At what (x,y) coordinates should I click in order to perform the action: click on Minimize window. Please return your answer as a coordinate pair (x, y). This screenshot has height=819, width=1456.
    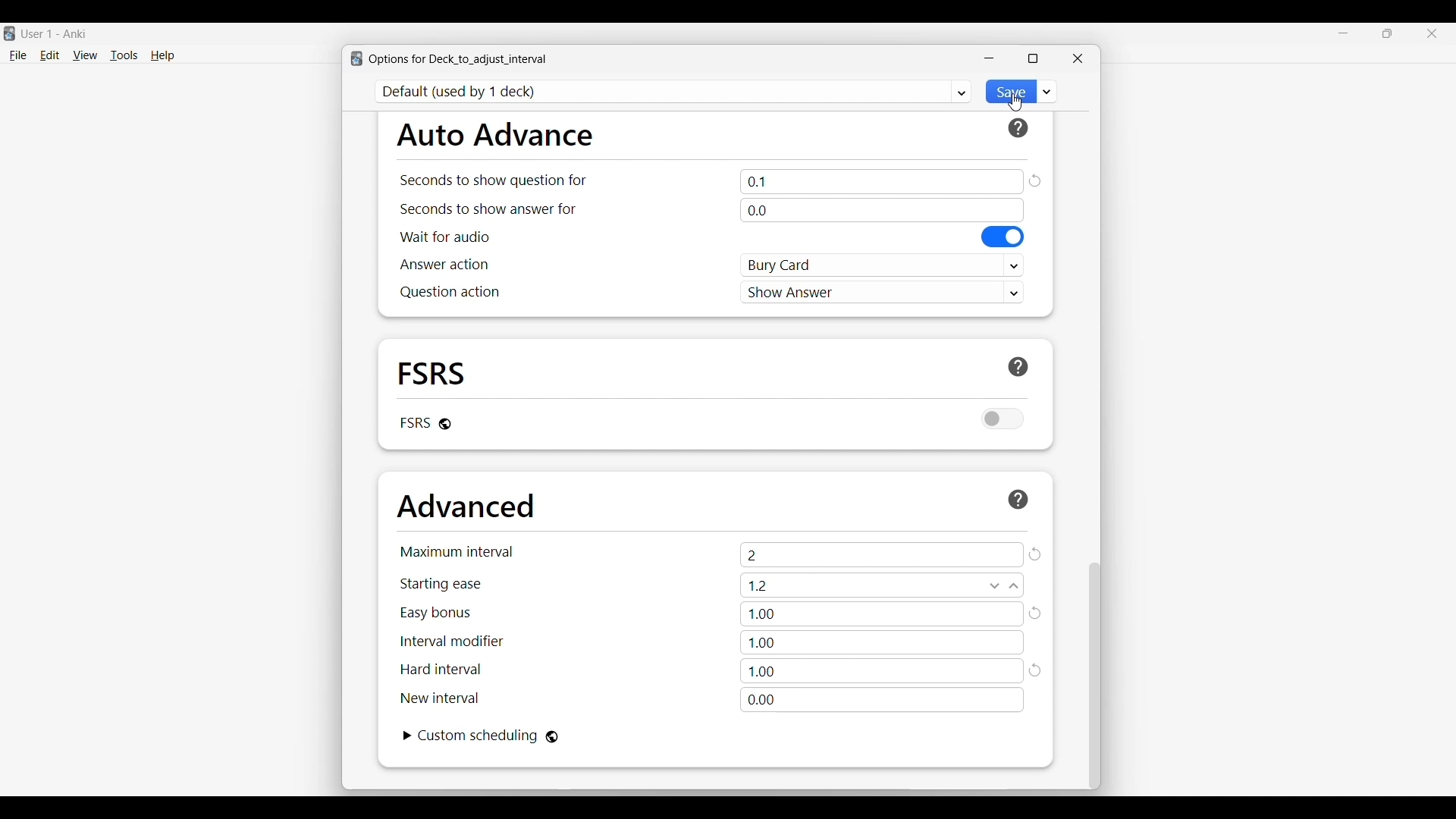
    Looking at the image, I should click on (989, 58).